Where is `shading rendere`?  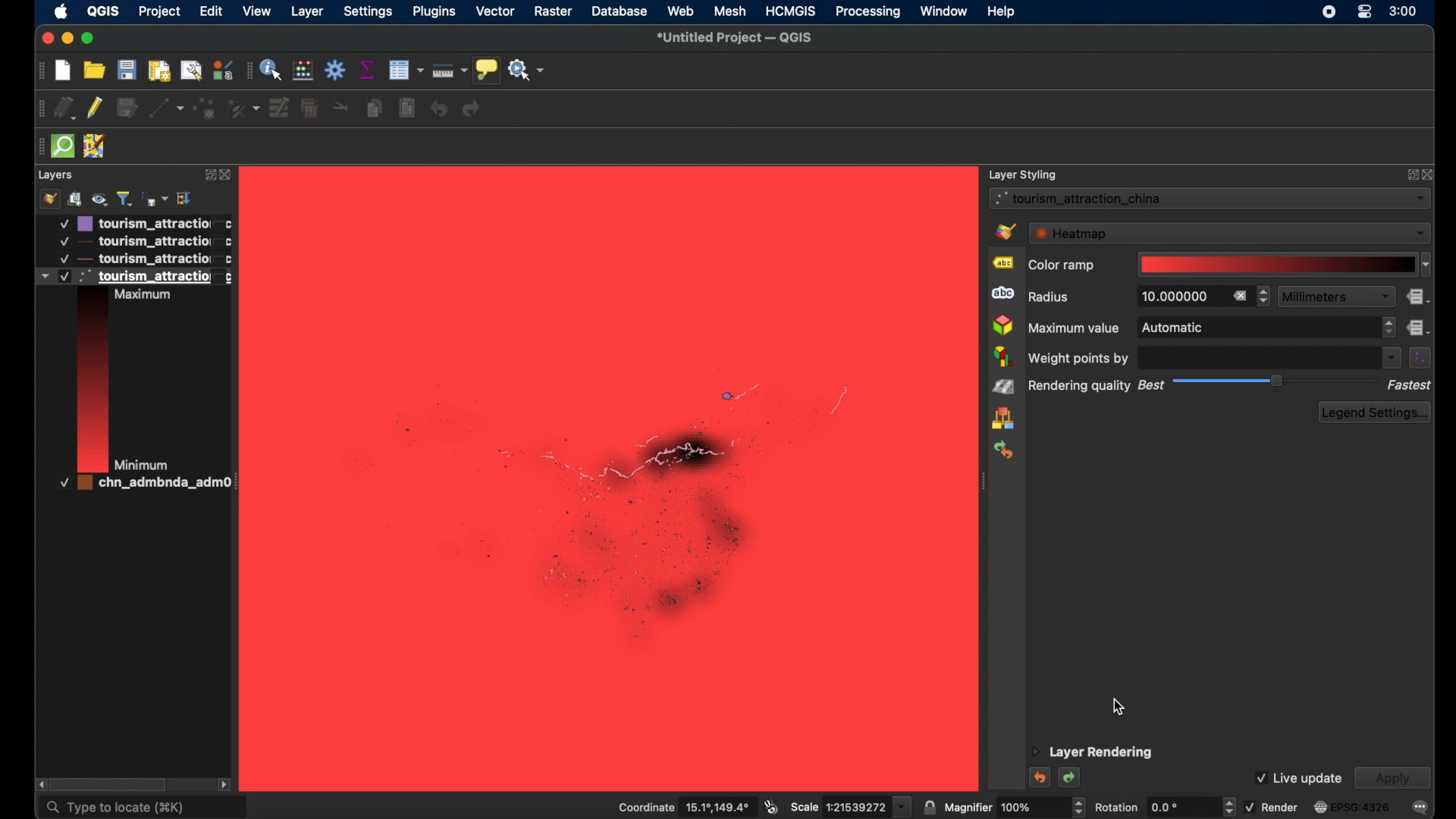 shading rendere is located at coordinates (1003, 388).